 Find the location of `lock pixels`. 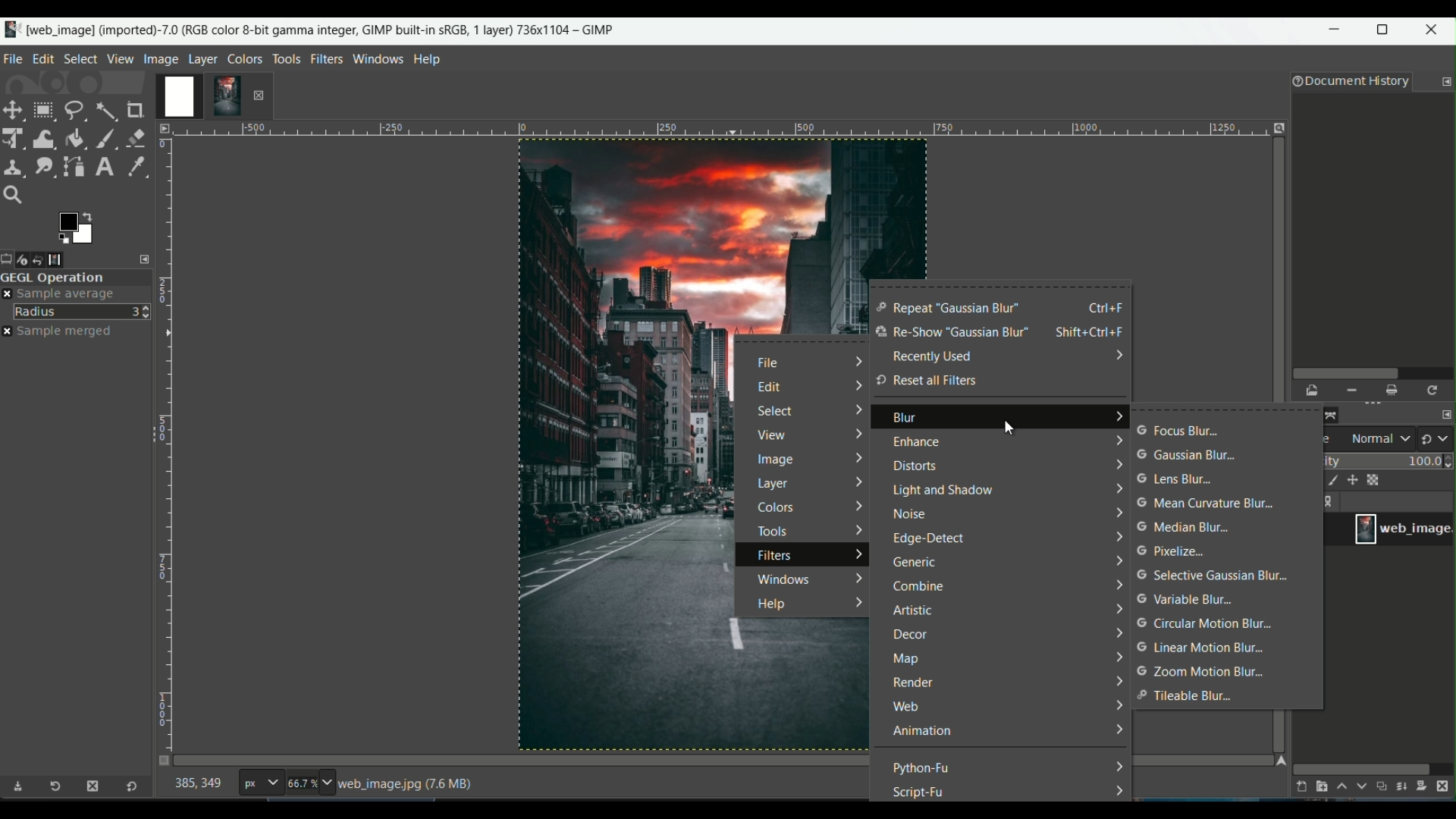

lock pixels is located at coordinates (1329, 482).